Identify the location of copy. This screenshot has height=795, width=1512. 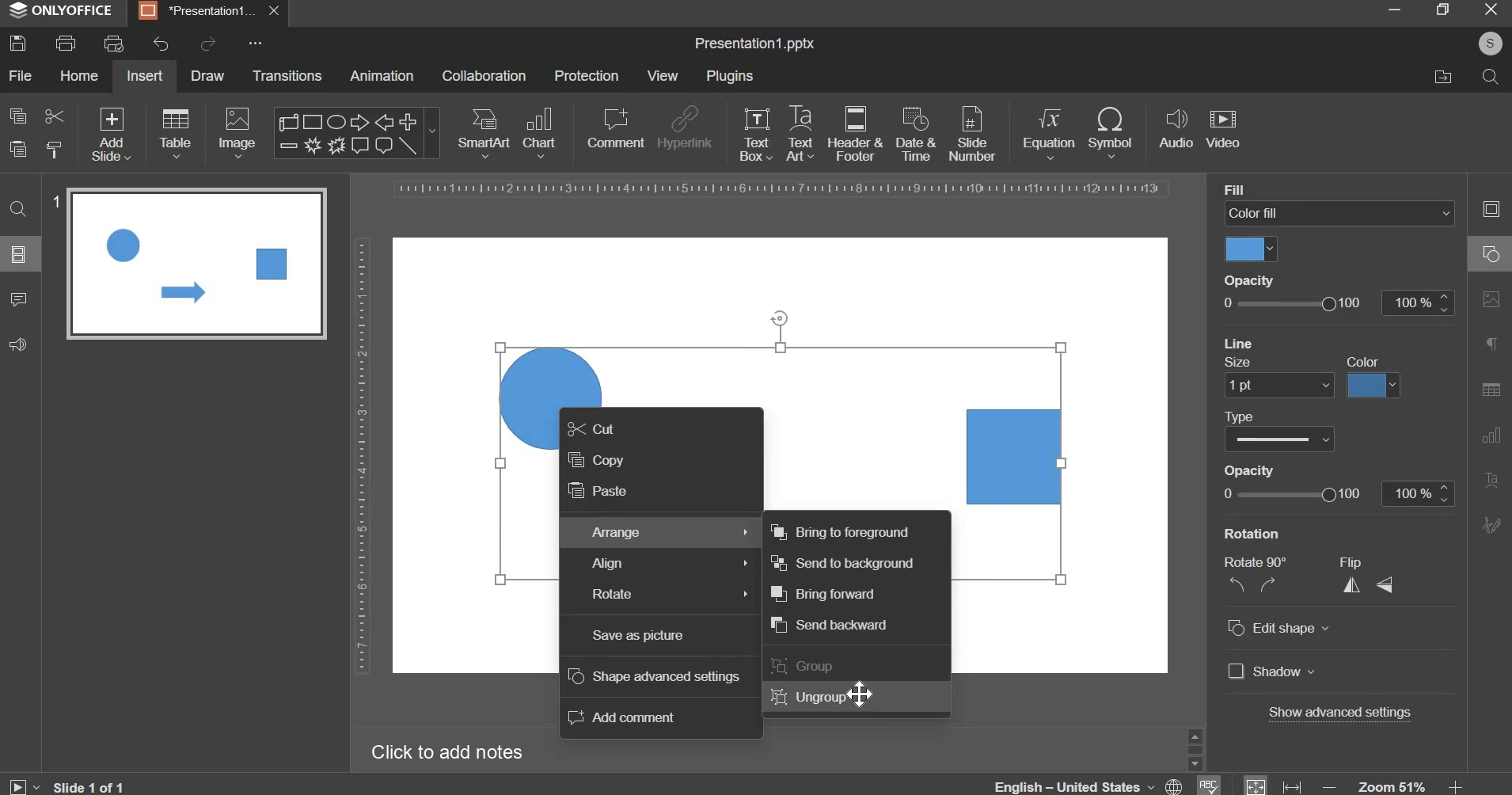
(18, 116).